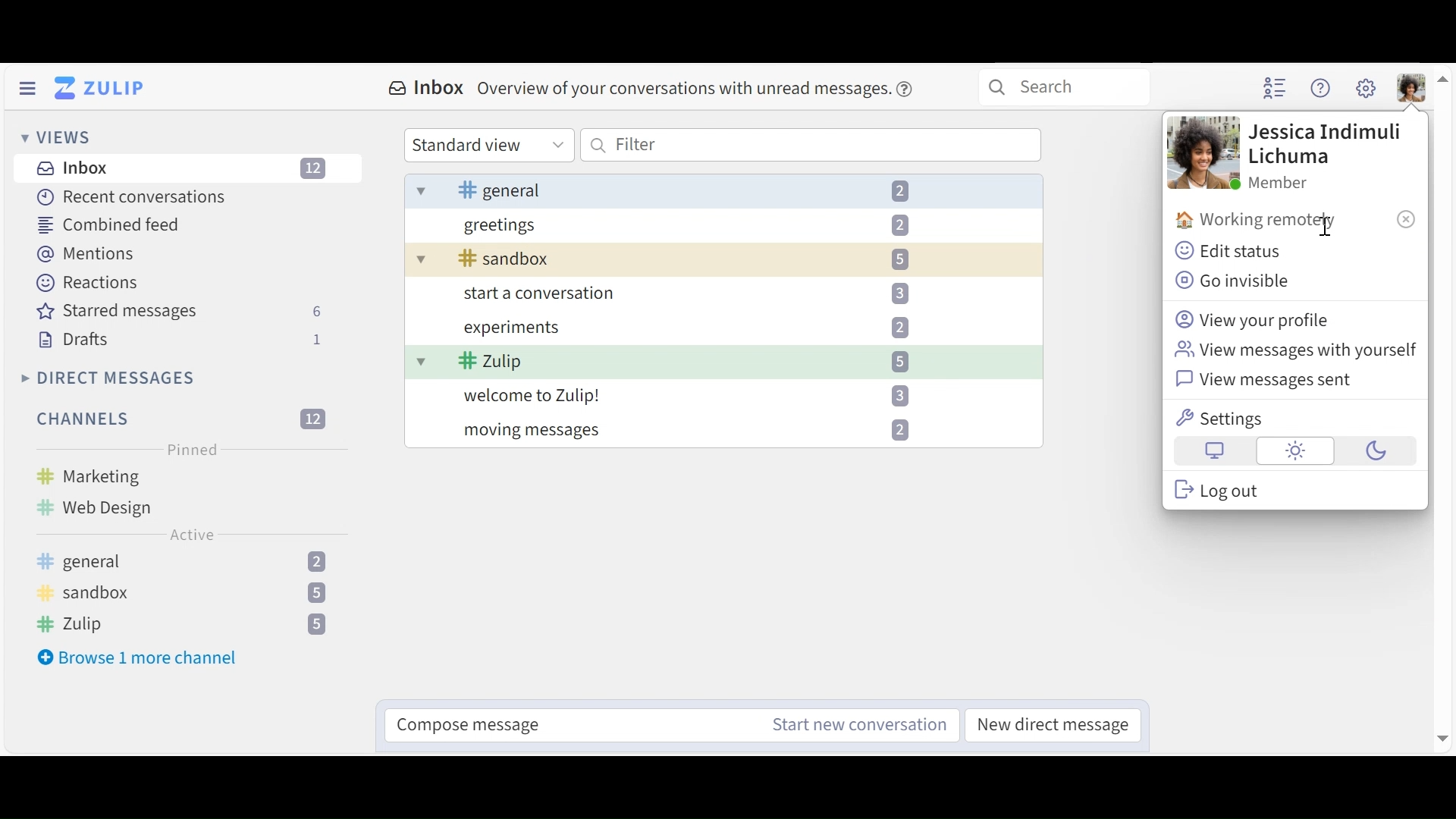 The width and height of the screenshot is (1456, 819). What do you see at coordinates (1078, 83) in the screenshot?
I see `Search` at bounding box center [1078, 83].